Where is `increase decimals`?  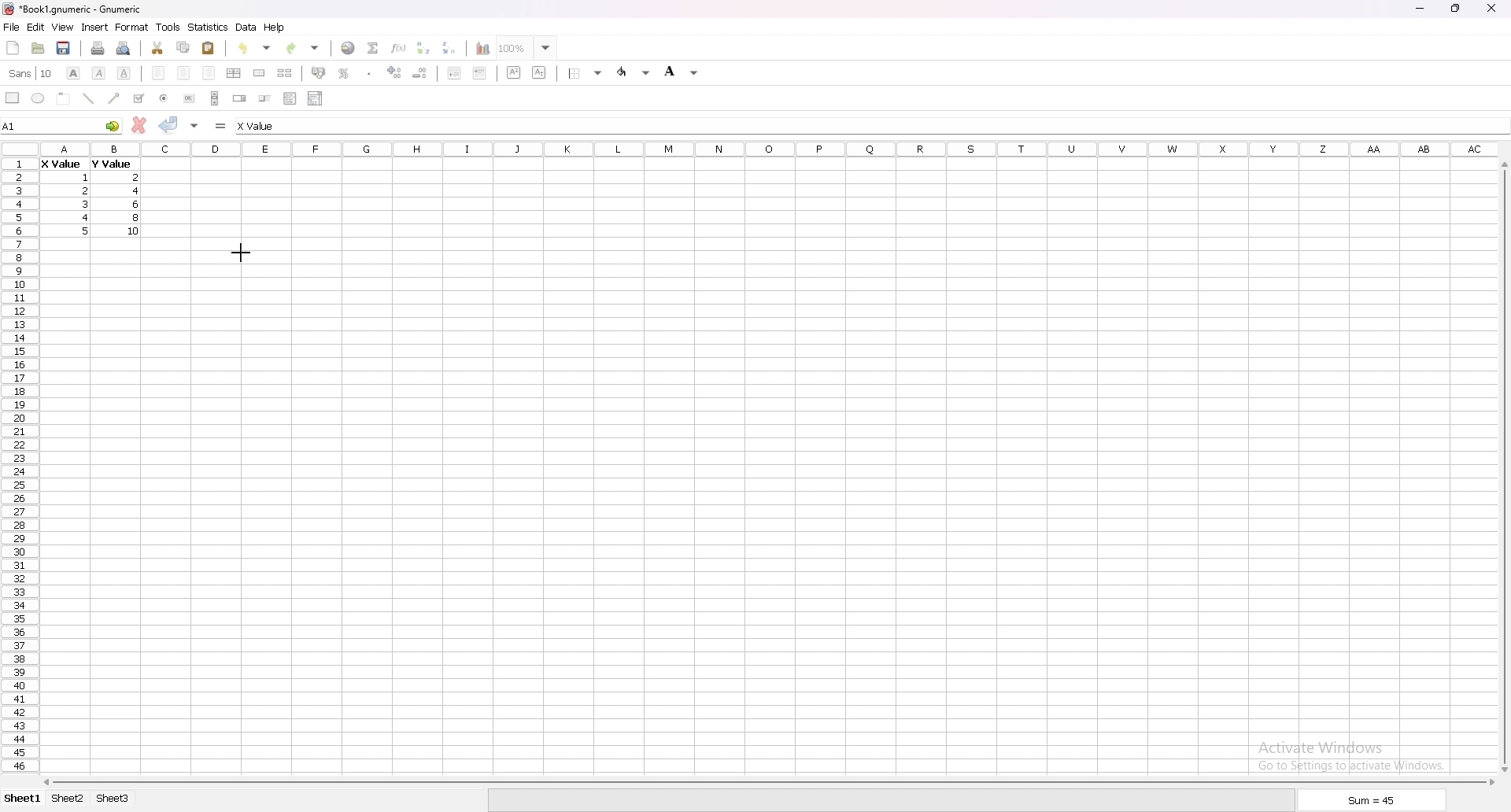 increase decimals is located at coordinates (395, 72).